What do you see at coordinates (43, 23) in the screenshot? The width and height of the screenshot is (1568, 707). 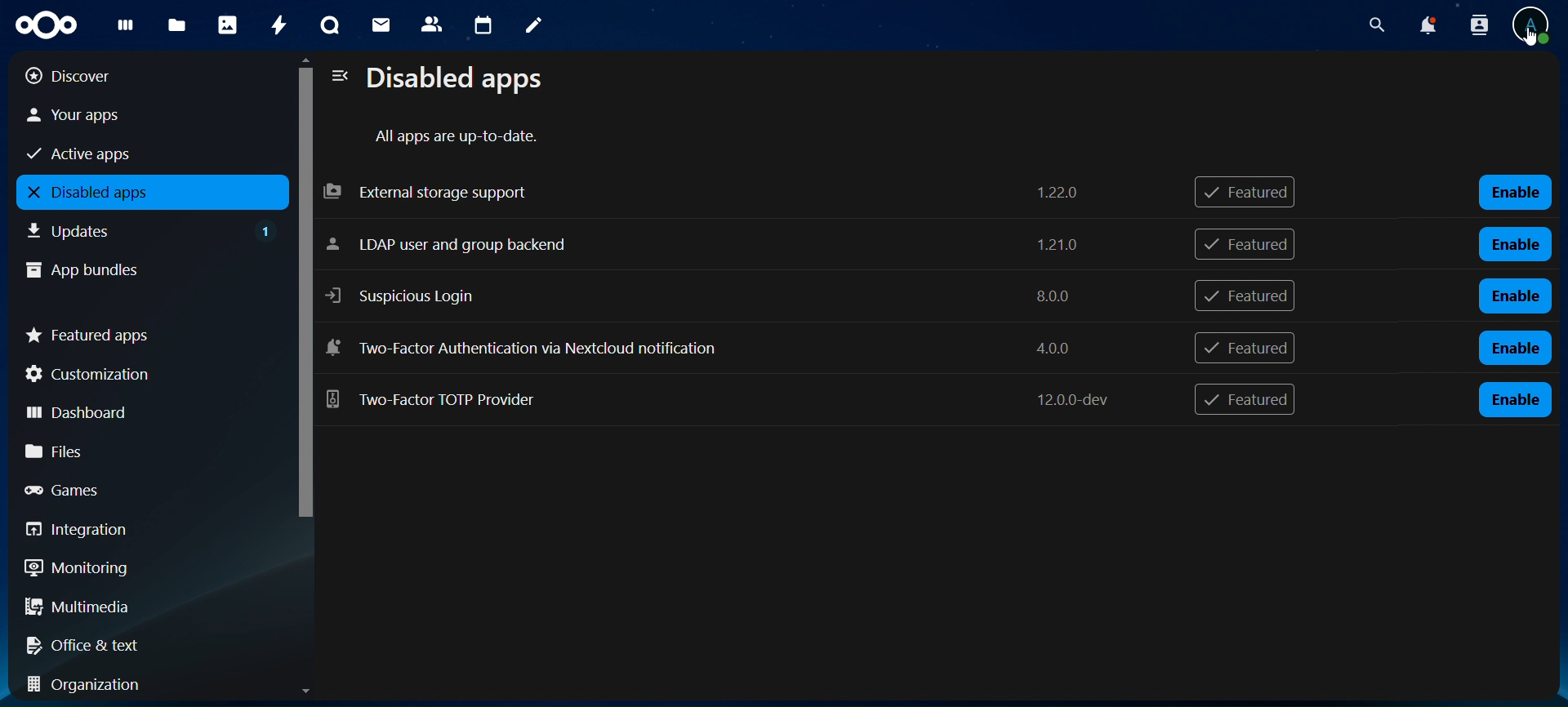 I see `icon` at bounding box center [43, 23].